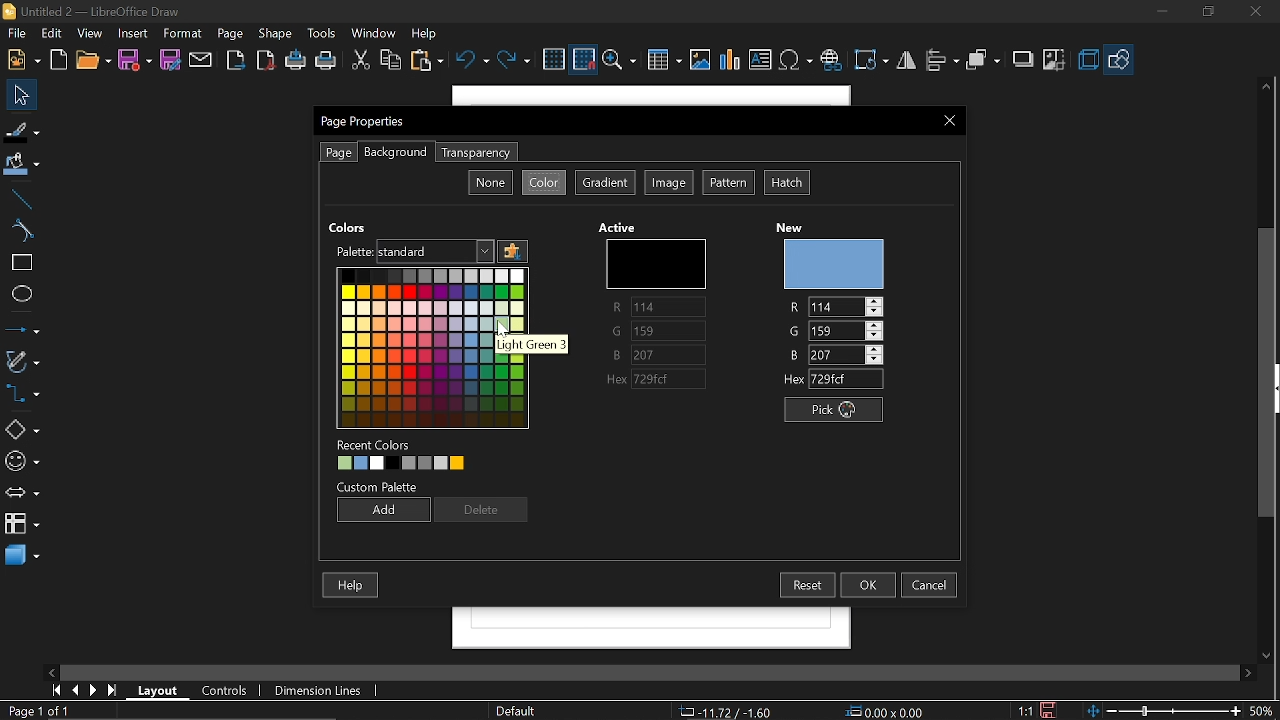 The height and width of the screenshot is (720, 1280). What do you see at coordinates (22, 492) in the screenshot?
I see `Arrows` at bounding box center [22, 492].